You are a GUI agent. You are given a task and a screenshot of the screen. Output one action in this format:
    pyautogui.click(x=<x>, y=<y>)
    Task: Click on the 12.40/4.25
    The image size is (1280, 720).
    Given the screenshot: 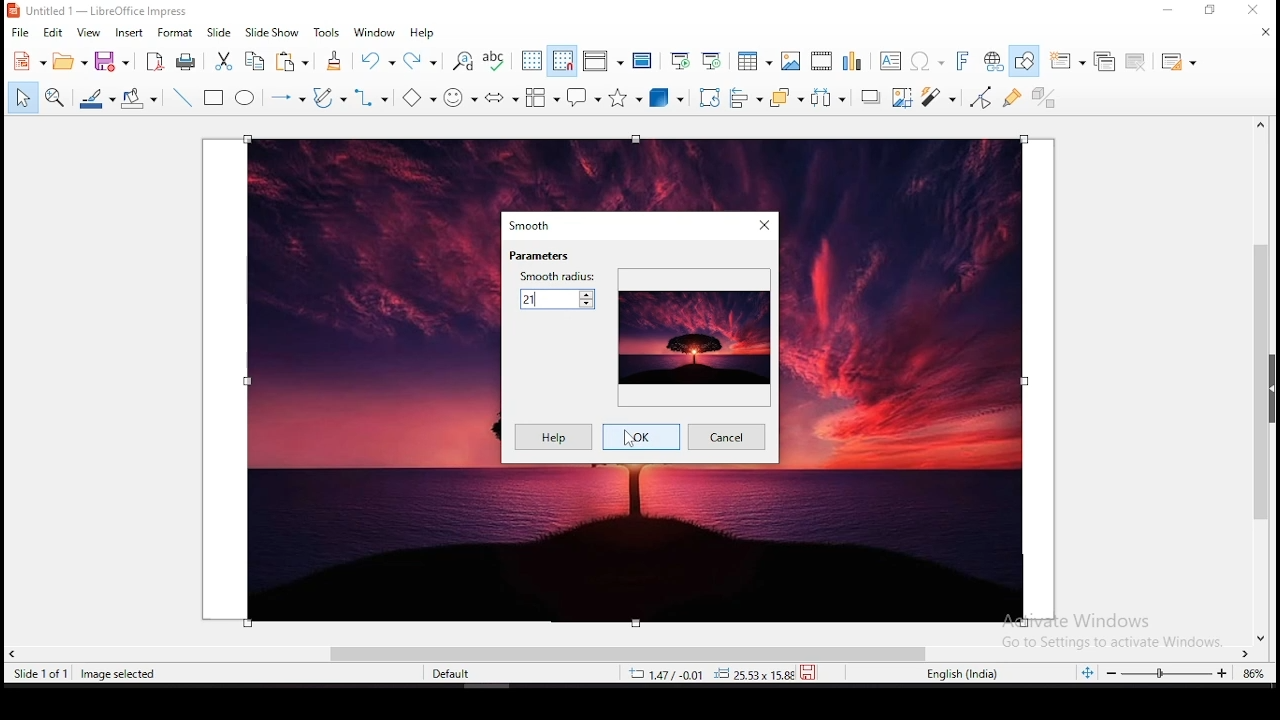 What is the action you would take?
    pyautogui.click(x=669, y=674)
    